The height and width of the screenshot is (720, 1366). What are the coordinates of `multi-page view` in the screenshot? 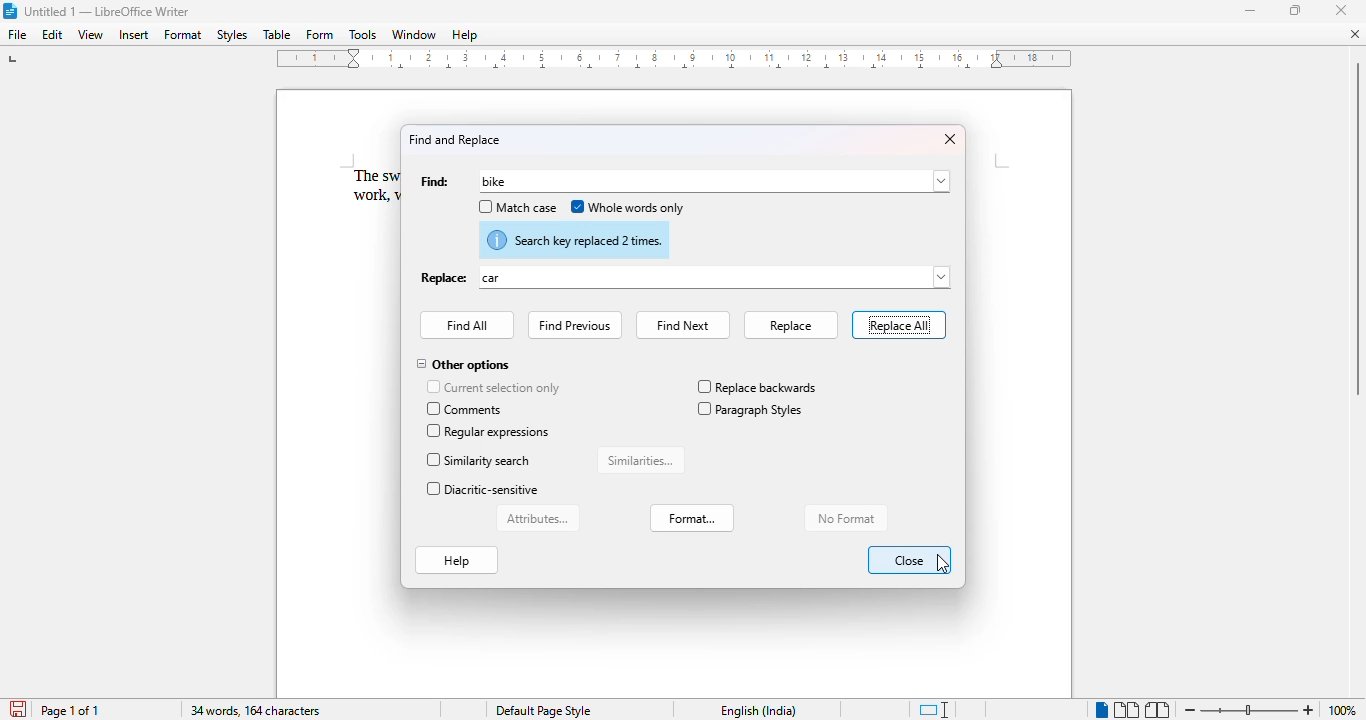 It's located at (1127, 710).